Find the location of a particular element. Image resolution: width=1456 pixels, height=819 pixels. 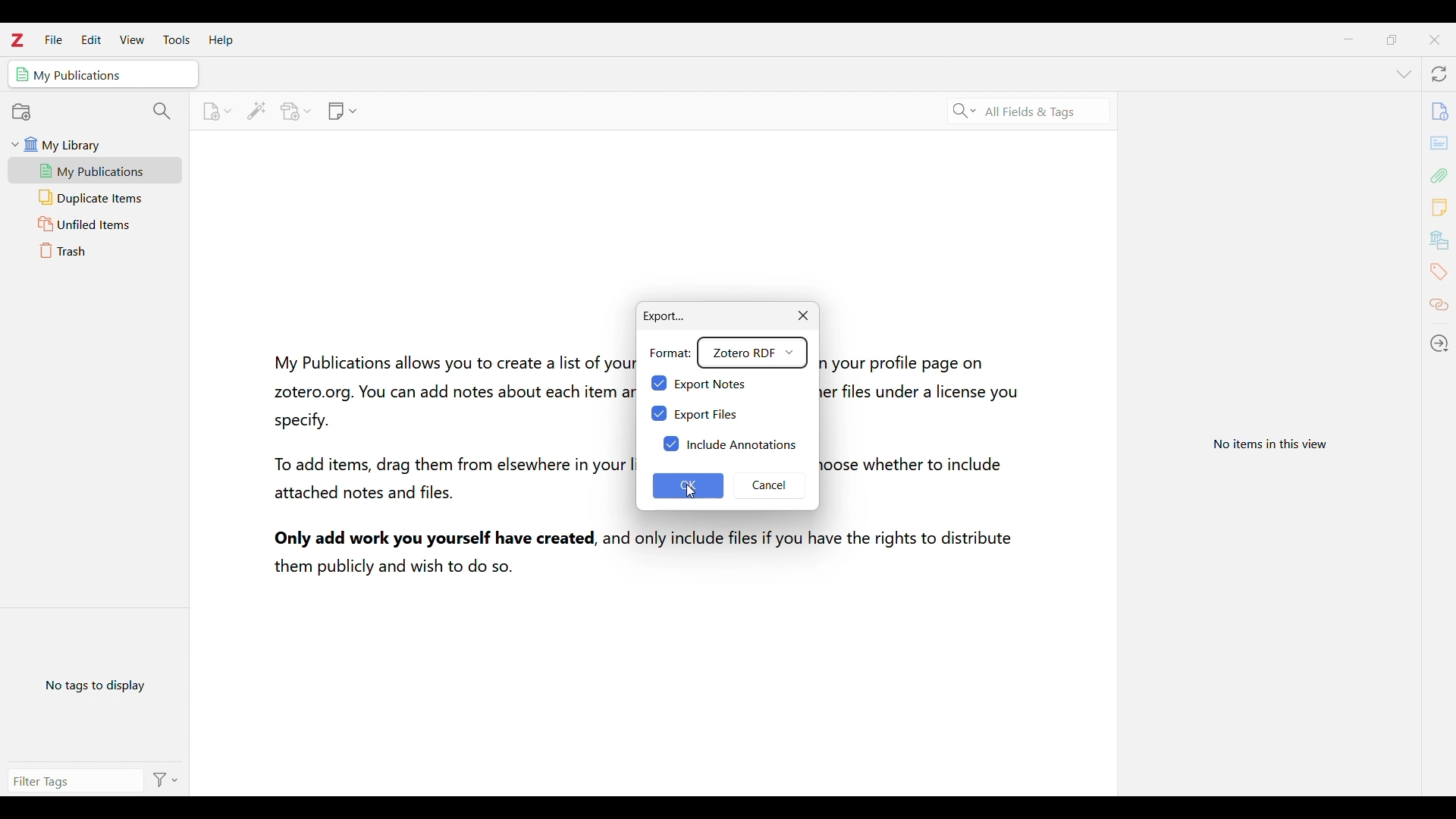

Current tab is located at coordinates (103, 74).